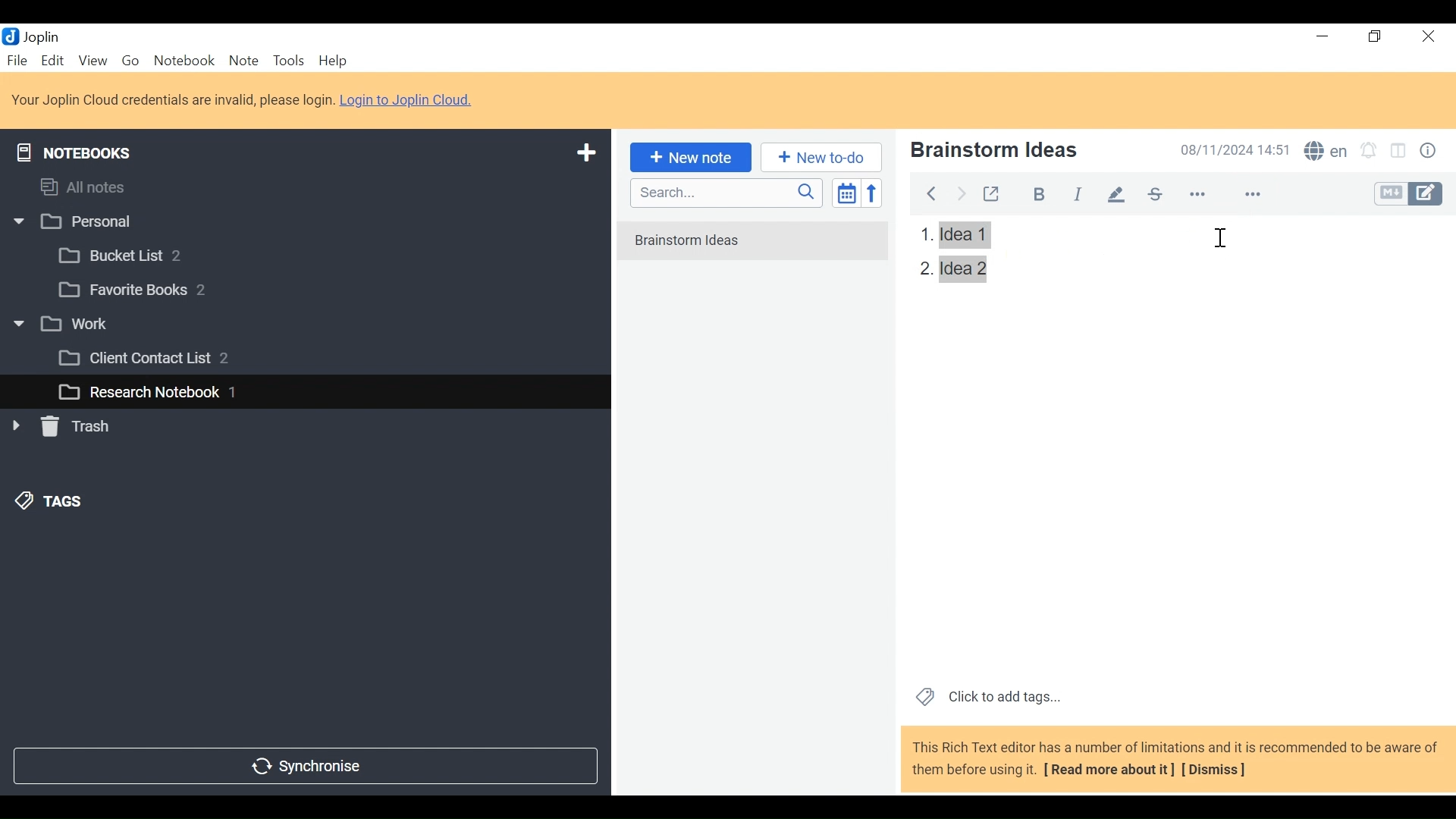 The height and width of the screenshot is (819, 1456). What do you see at coordinates (1399, 152) in the screenshot?
I see `Toggle Editor layout` at bounding box center [1399, 152].